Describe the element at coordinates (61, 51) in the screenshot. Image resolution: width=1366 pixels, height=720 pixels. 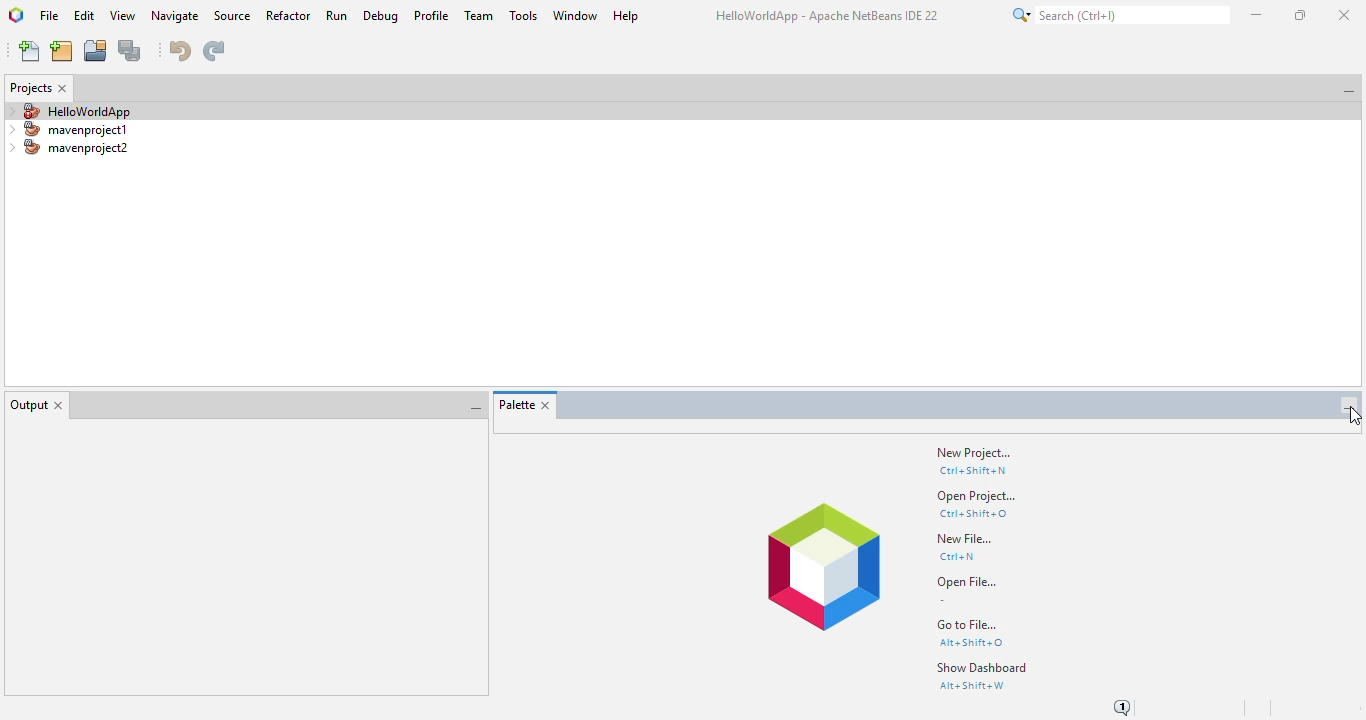
I see `new project` at that location.